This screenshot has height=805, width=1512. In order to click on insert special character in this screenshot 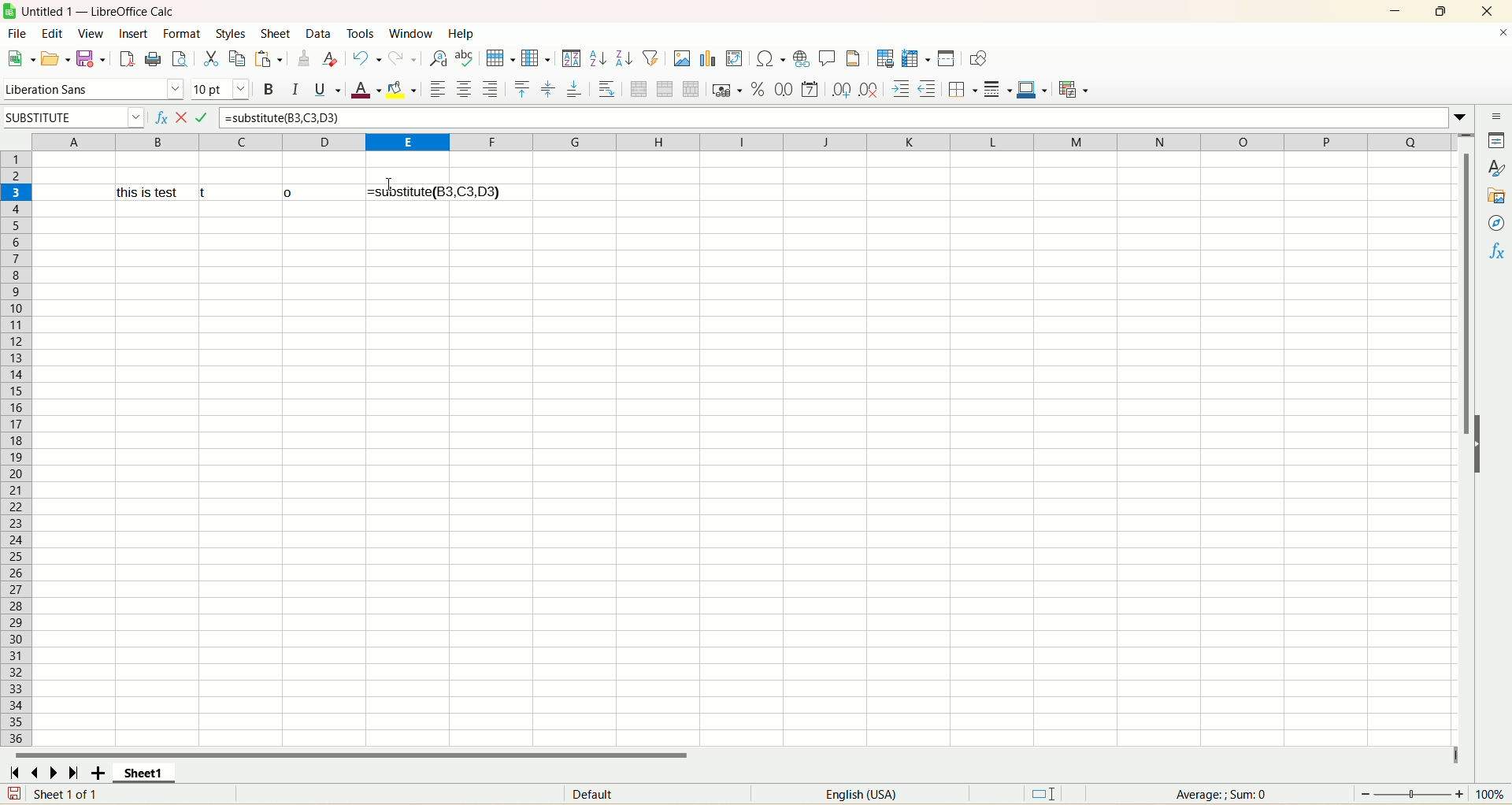, I will do `click(772, 59)`.